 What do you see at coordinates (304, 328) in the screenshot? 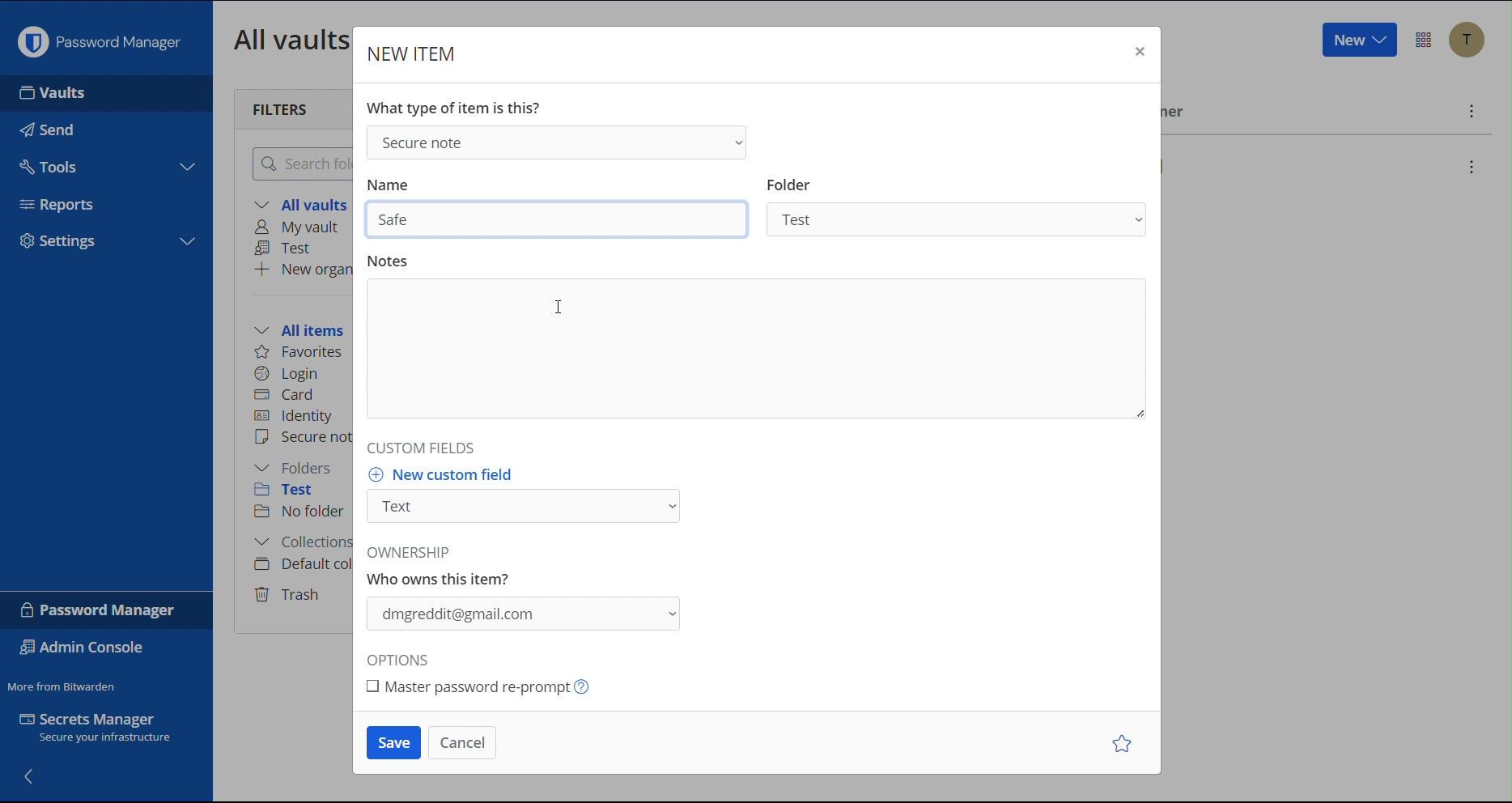
I see `All items` at bounding box center [304, 328].